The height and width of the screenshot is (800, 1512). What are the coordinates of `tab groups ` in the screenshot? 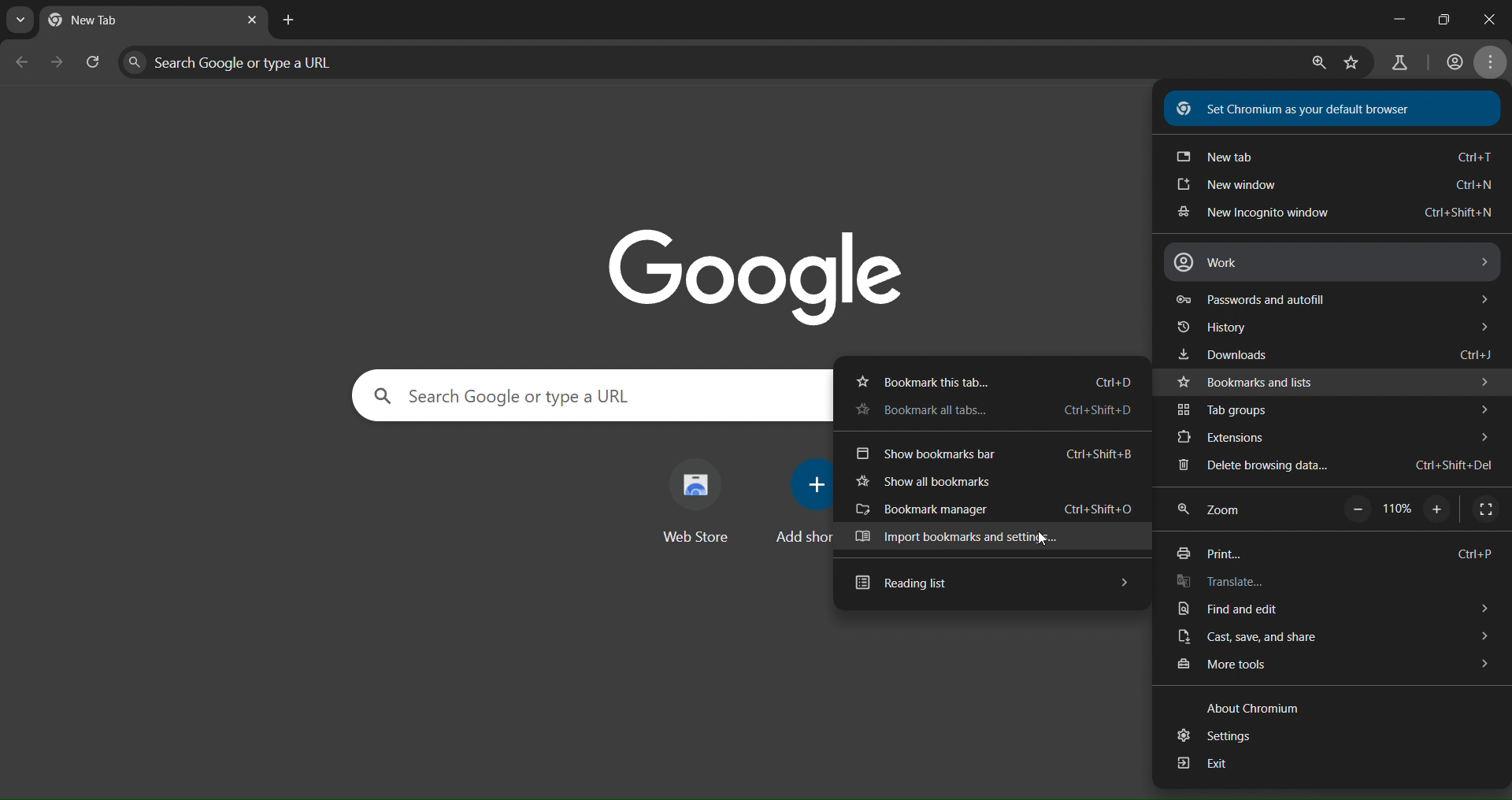 It's located at (1332, 411).